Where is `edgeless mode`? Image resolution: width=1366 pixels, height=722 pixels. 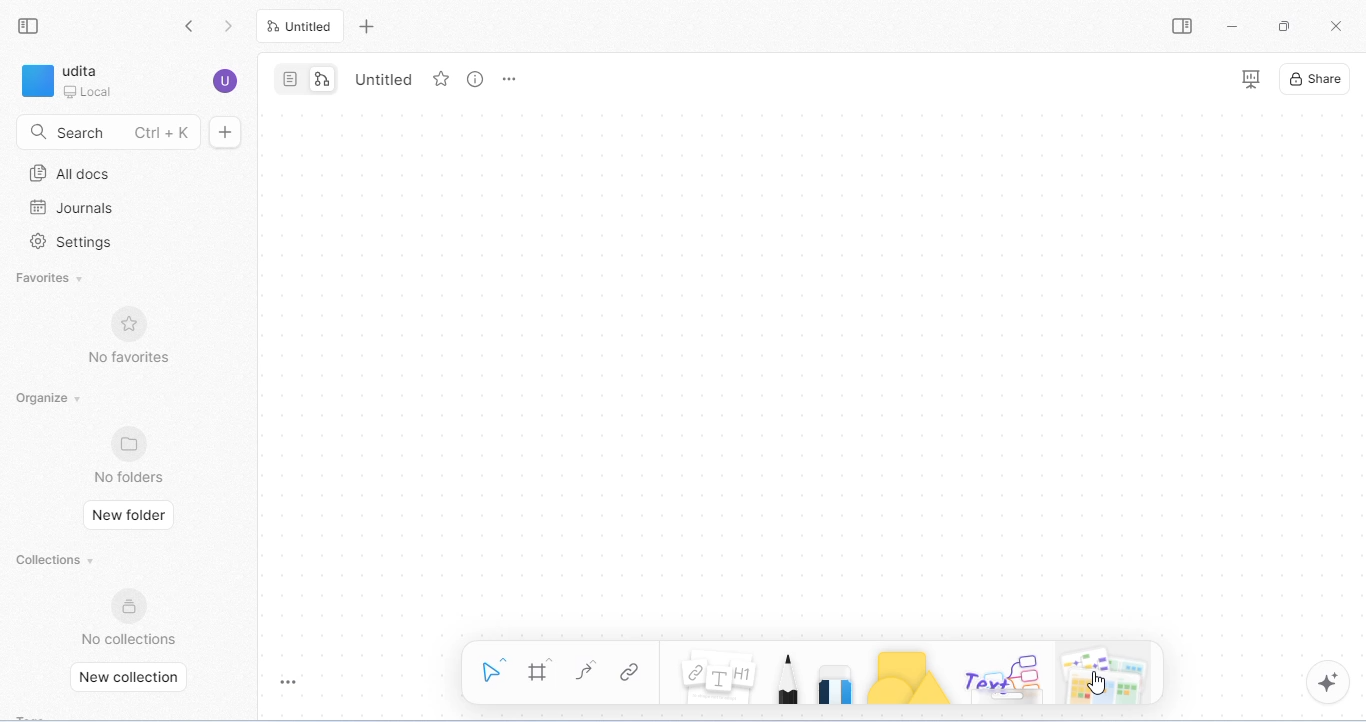
edgeless mode is located at coordinates (322, 80).